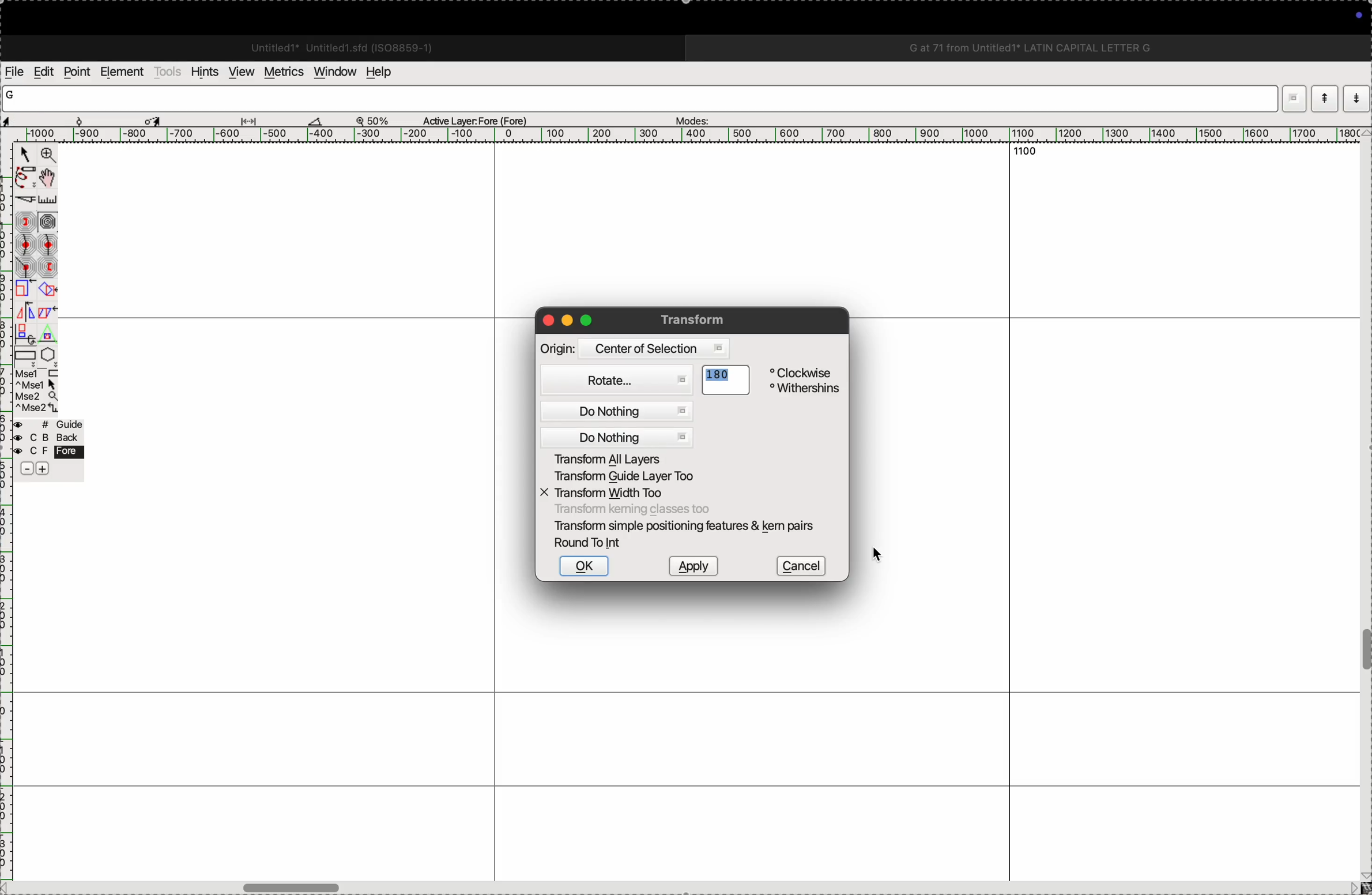  I want to click on edits, so click(44, 73).